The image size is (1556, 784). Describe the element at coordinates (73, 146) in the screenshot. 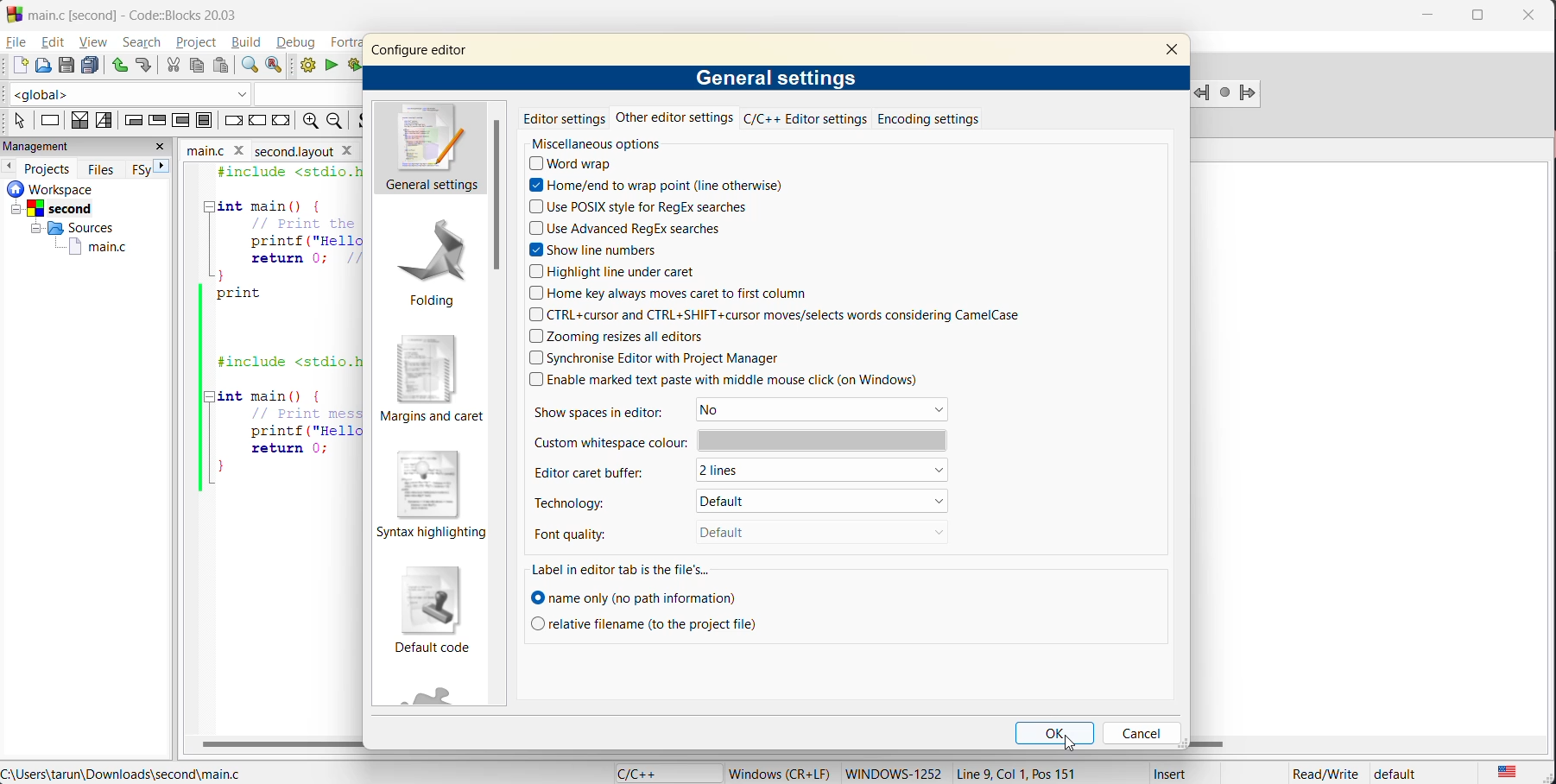

I see `management` at that location.